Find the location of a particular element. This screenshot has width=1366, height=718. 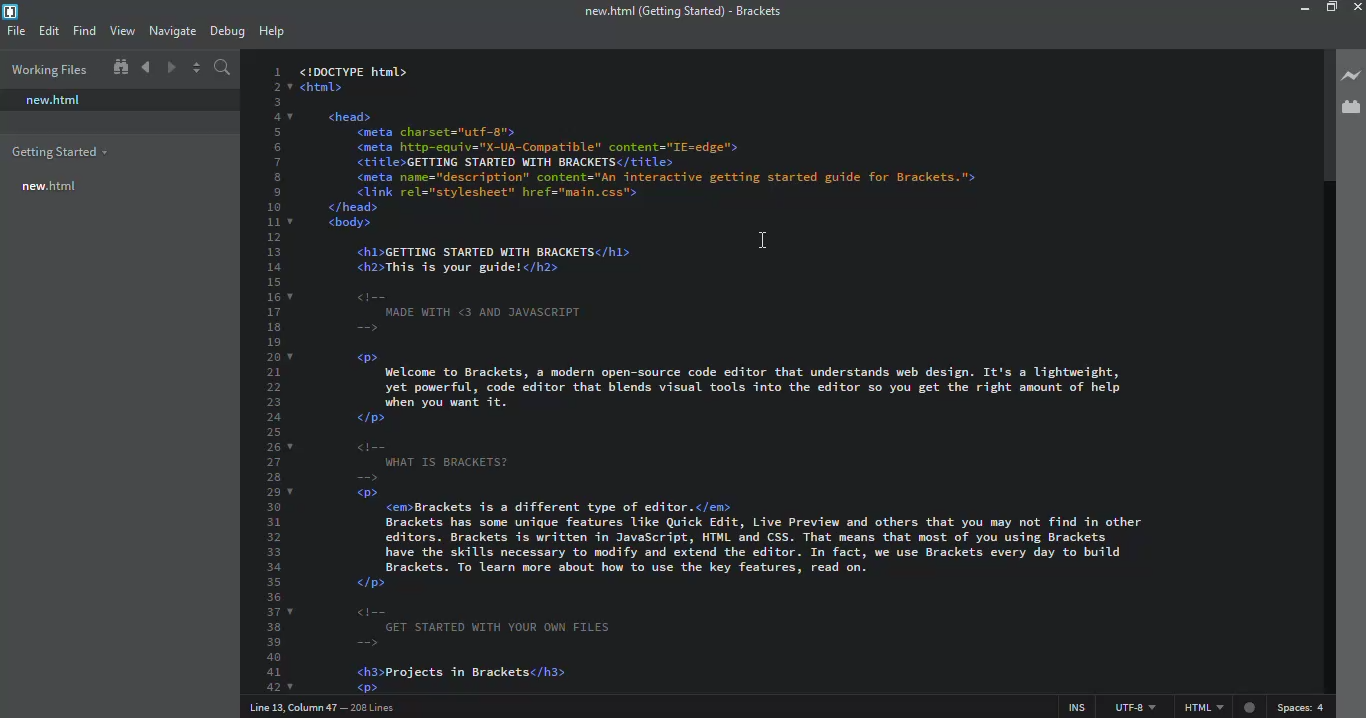

line number is located at coordinates (269, 377).